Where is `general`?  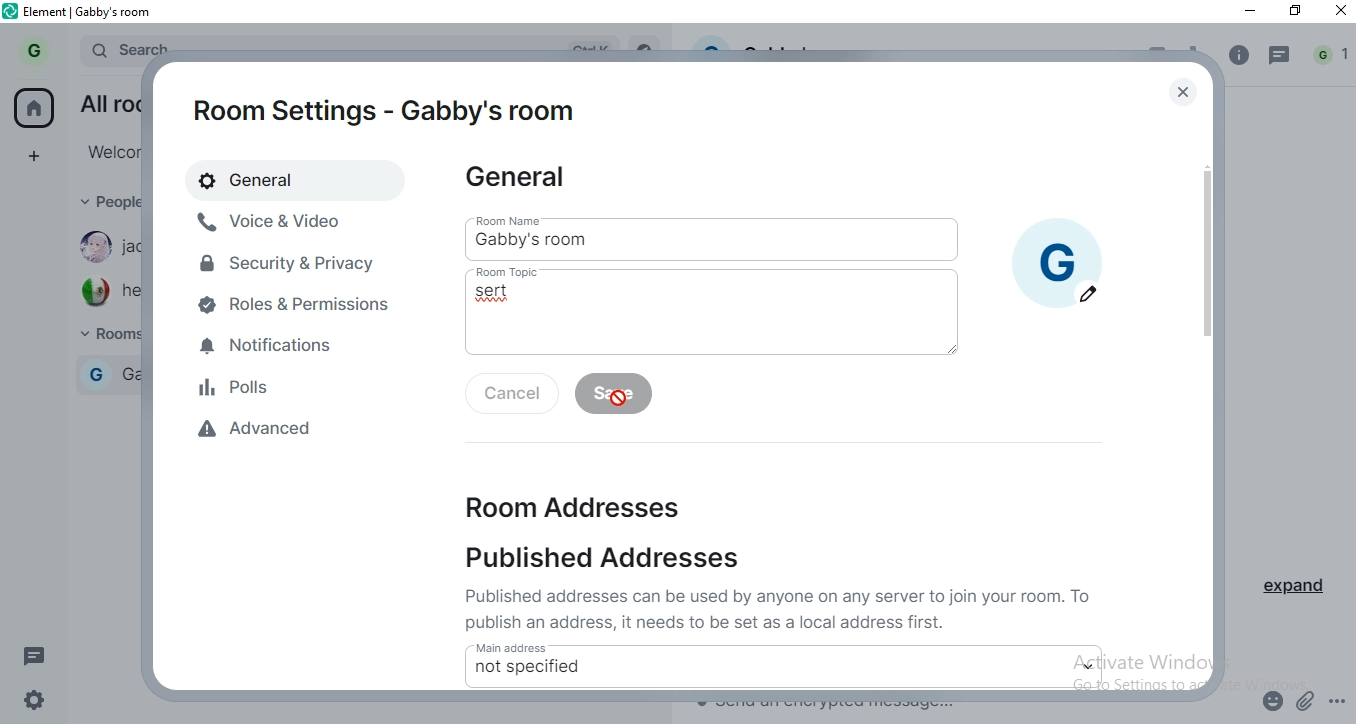
general is located at coordinates (277, 179).